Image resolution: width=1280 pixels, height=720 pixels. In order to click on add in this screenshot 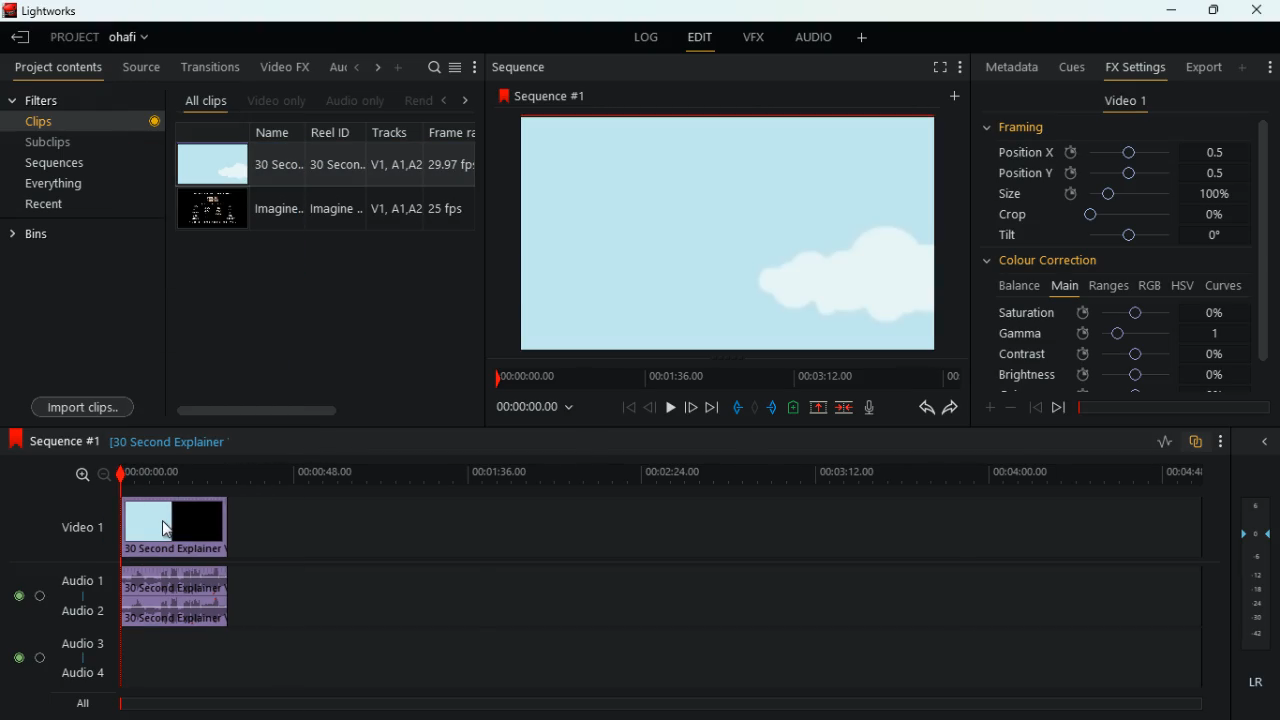, I will do `click(1269, 66)`.